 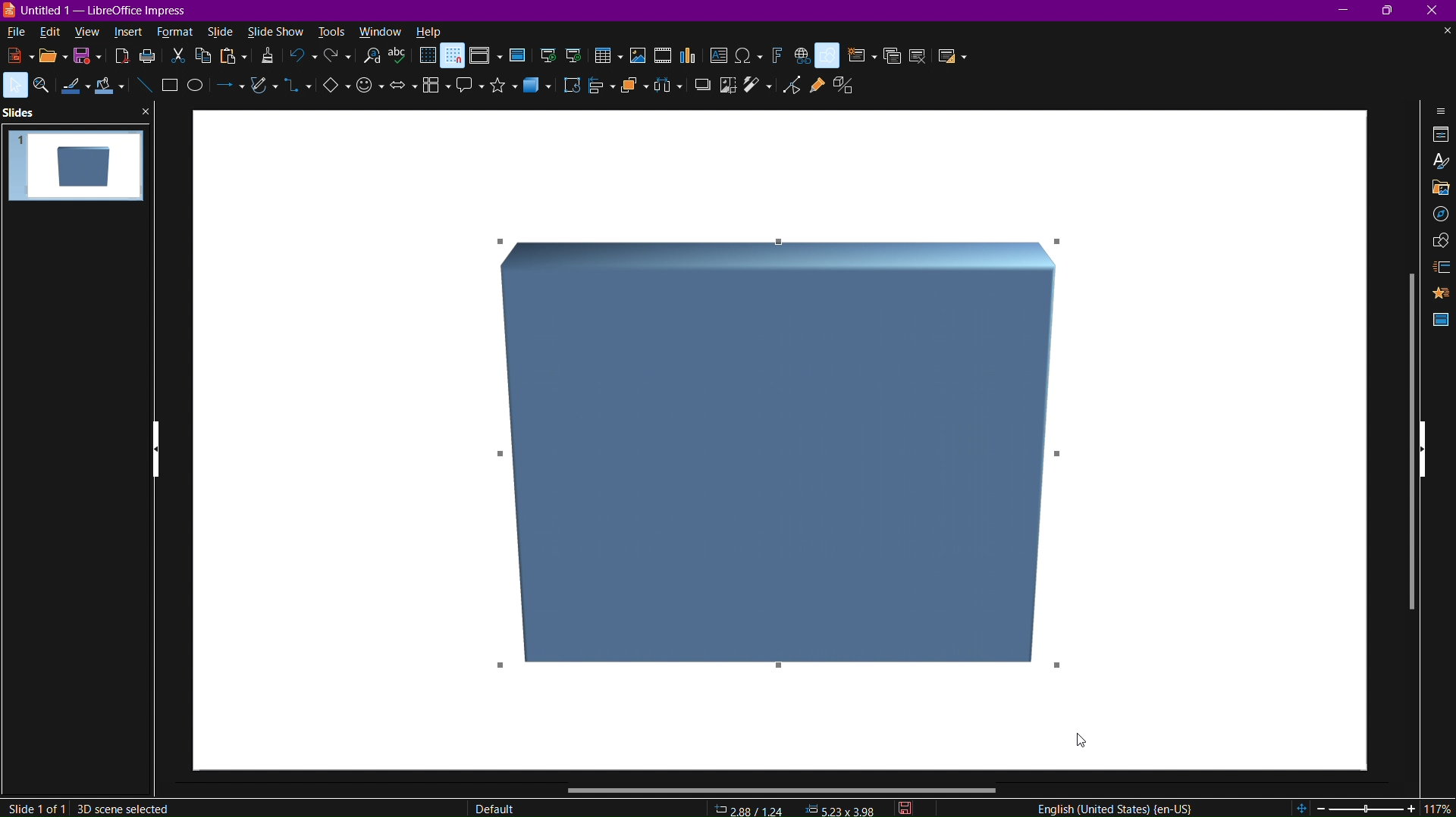 I want to click on Shapes, so click(x=1437, y=242).